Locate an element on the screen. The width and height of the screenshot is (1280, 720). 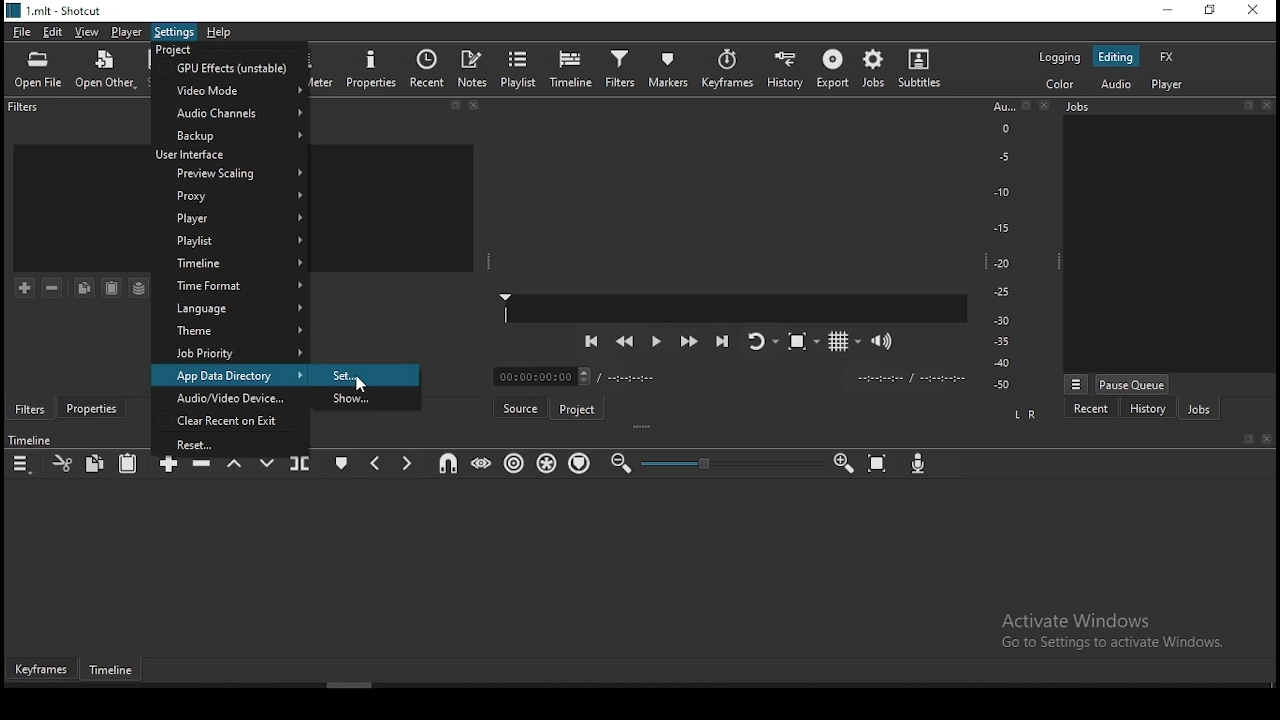
lift is located at coordinates (235, 466).